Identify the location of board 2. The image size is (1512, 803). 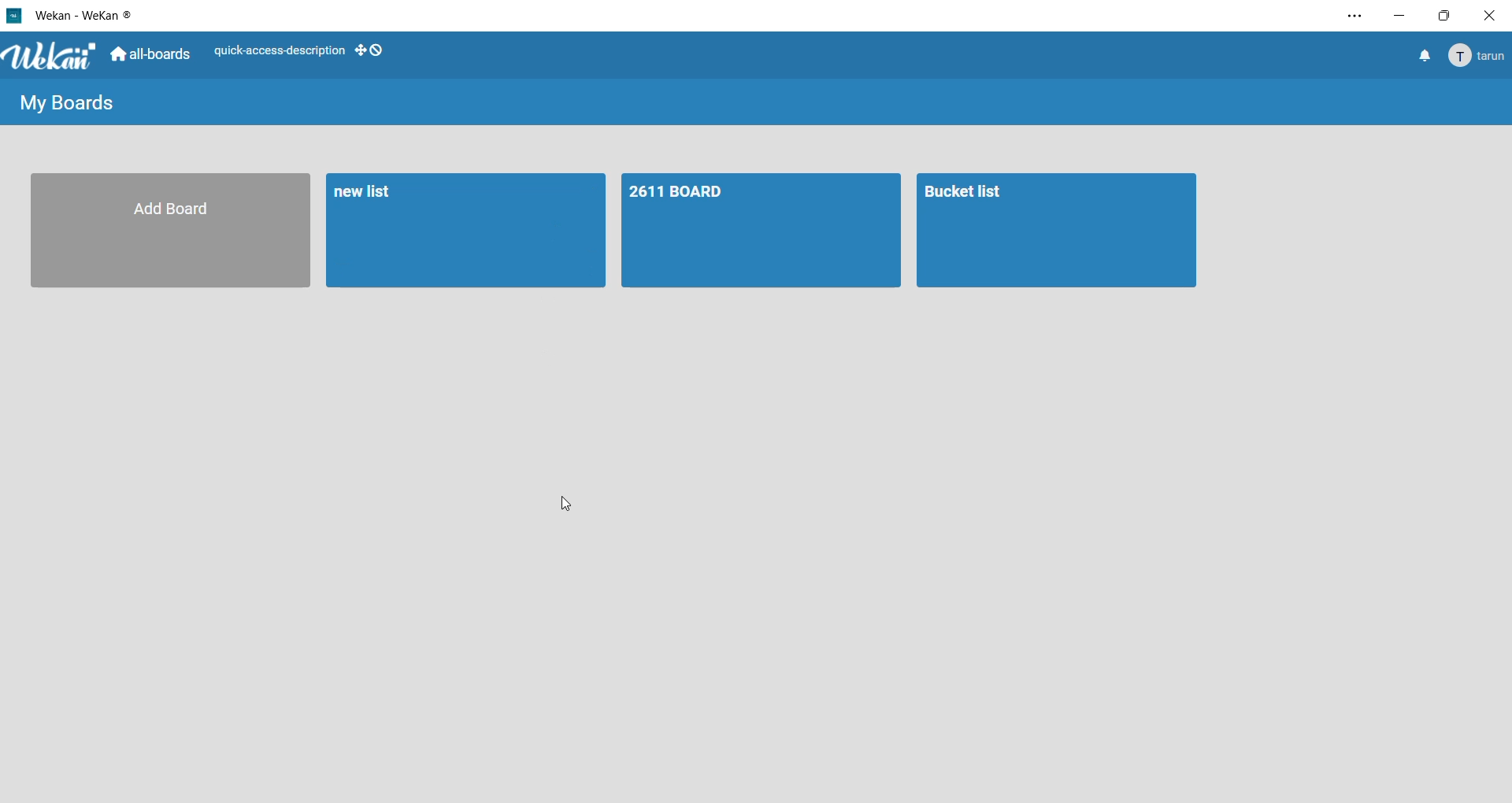
(1057, 232).